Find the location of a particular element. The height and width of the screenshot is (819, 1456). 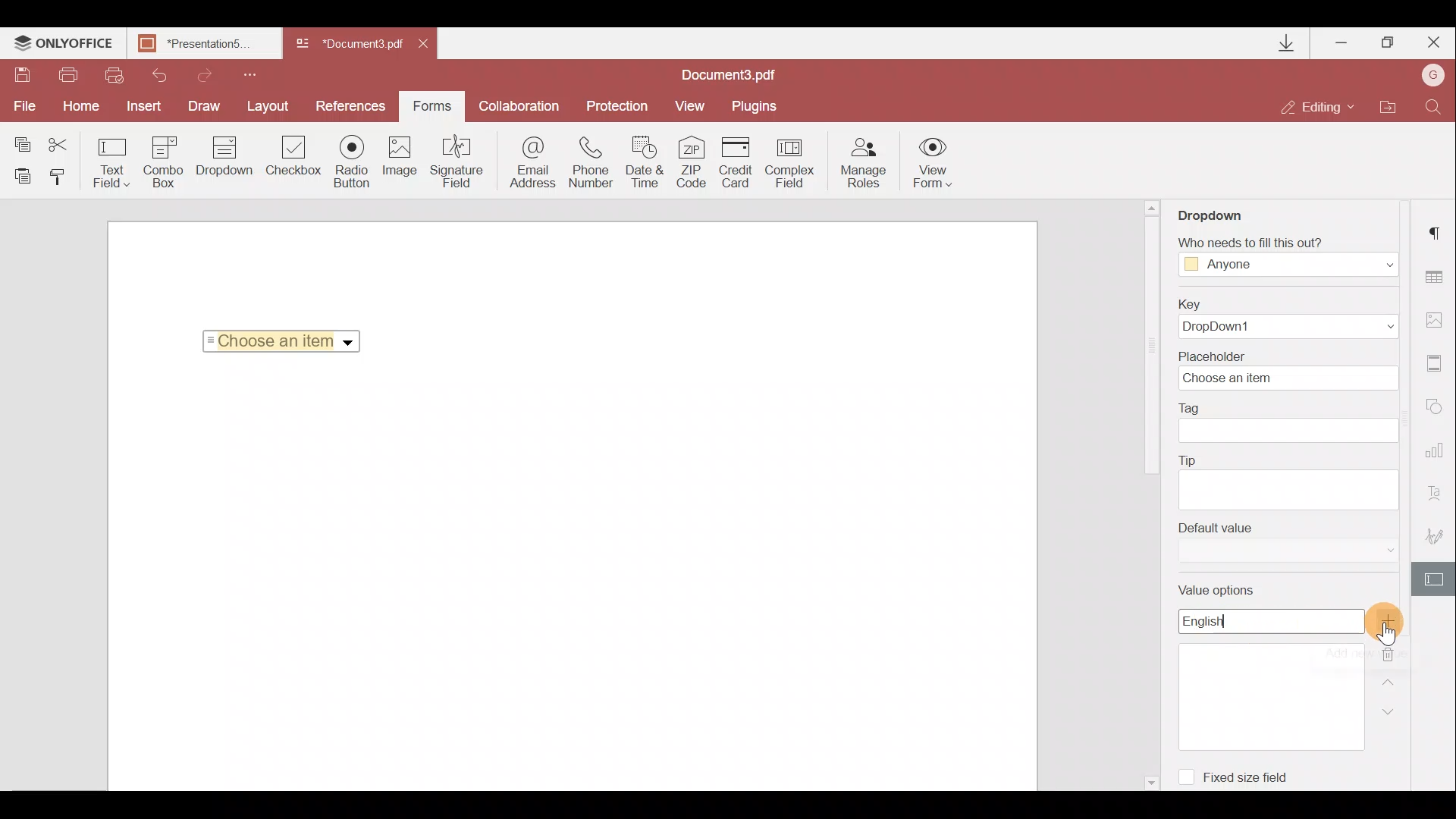

Text field is located at coordinates (112, 162).